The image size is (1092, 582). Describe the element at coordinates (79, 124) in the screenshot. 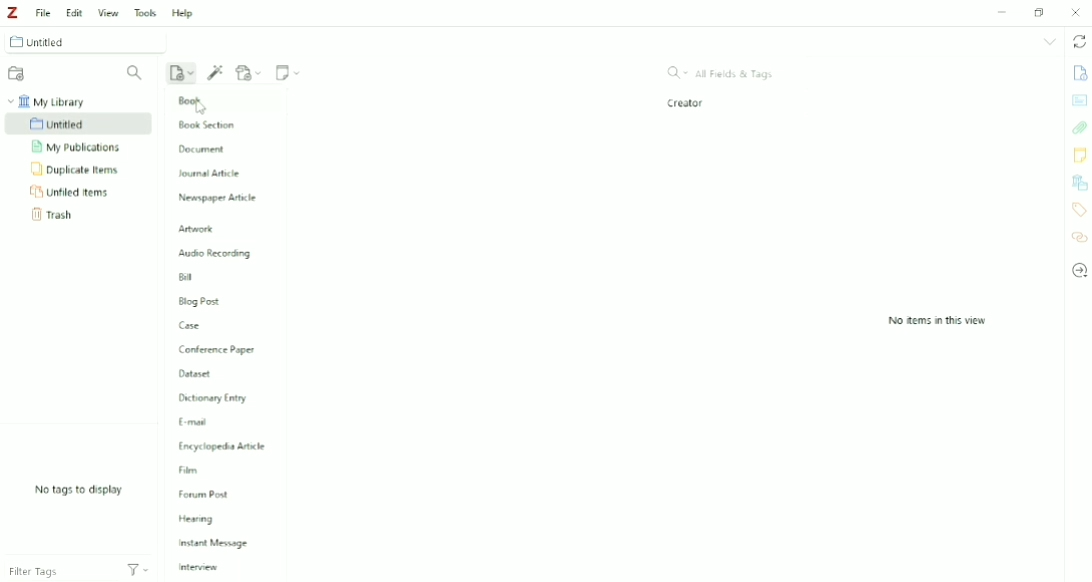

I see `Untitled` at that location.